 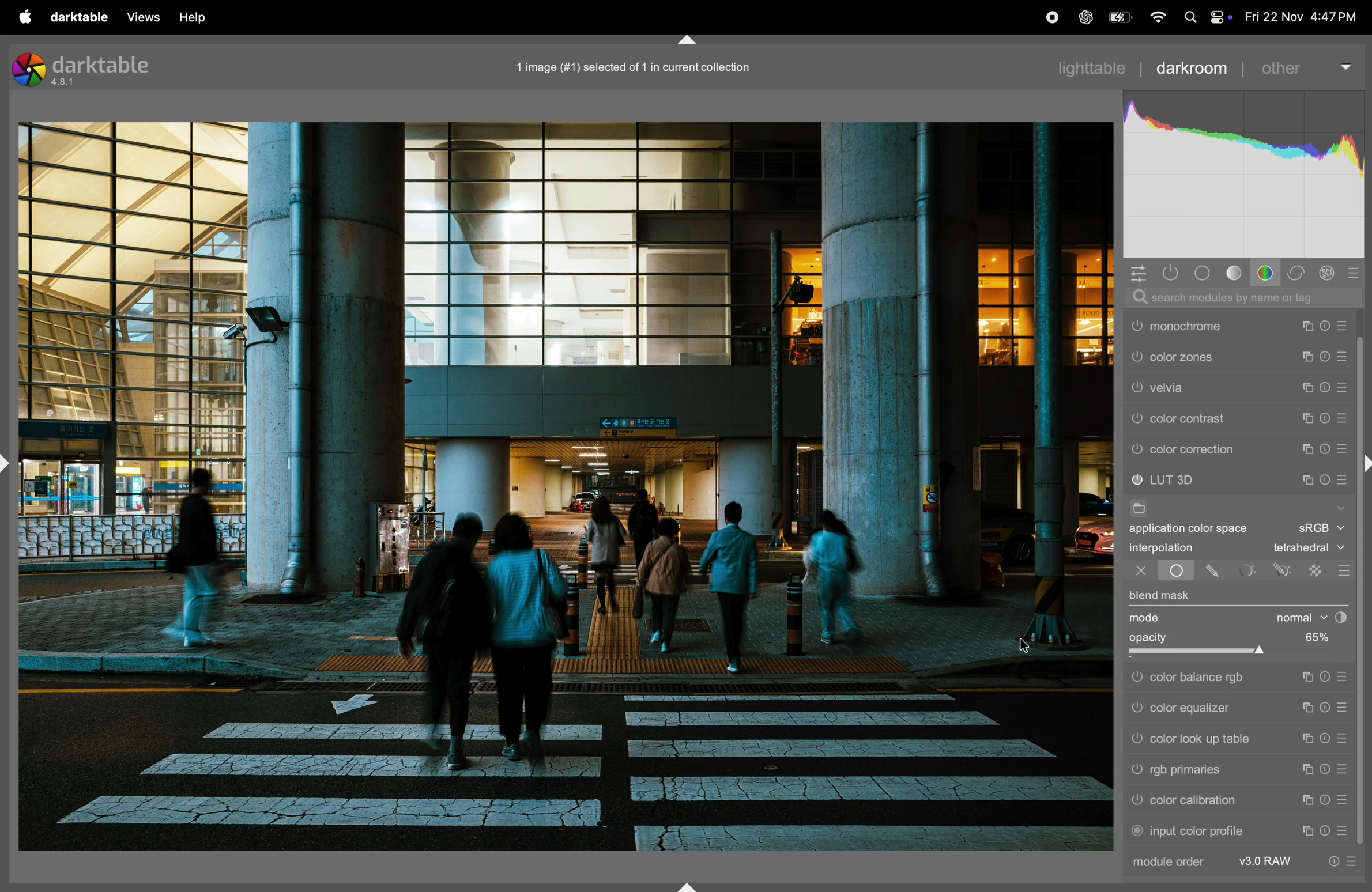 I want to click on v3 raw, so click(x=1268, y=862).